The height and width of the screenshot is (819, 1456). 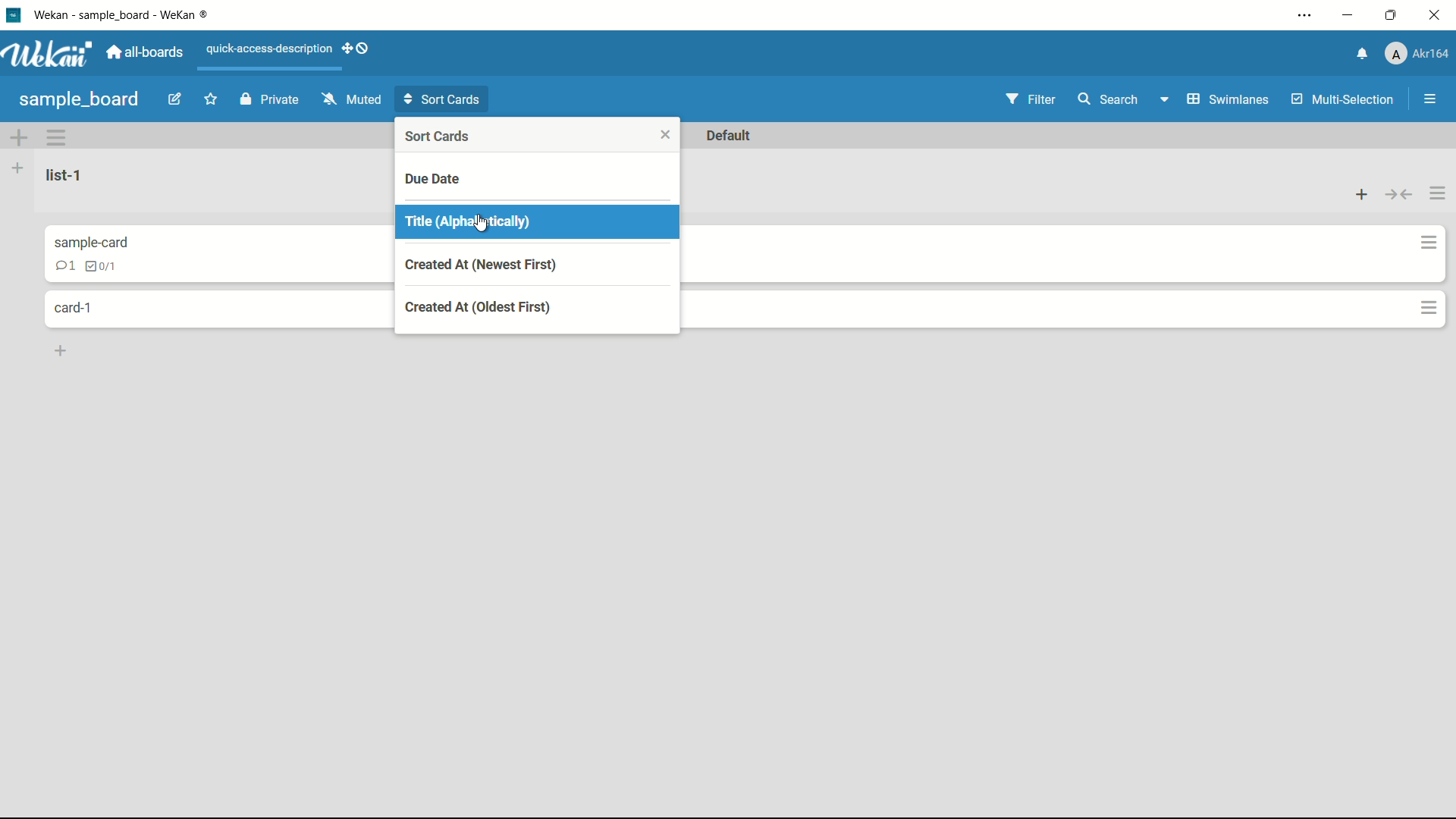 What do you see at coordinates (445, 98) in the screenshot?
I see `sort cards` at bounding box center [445, 98].